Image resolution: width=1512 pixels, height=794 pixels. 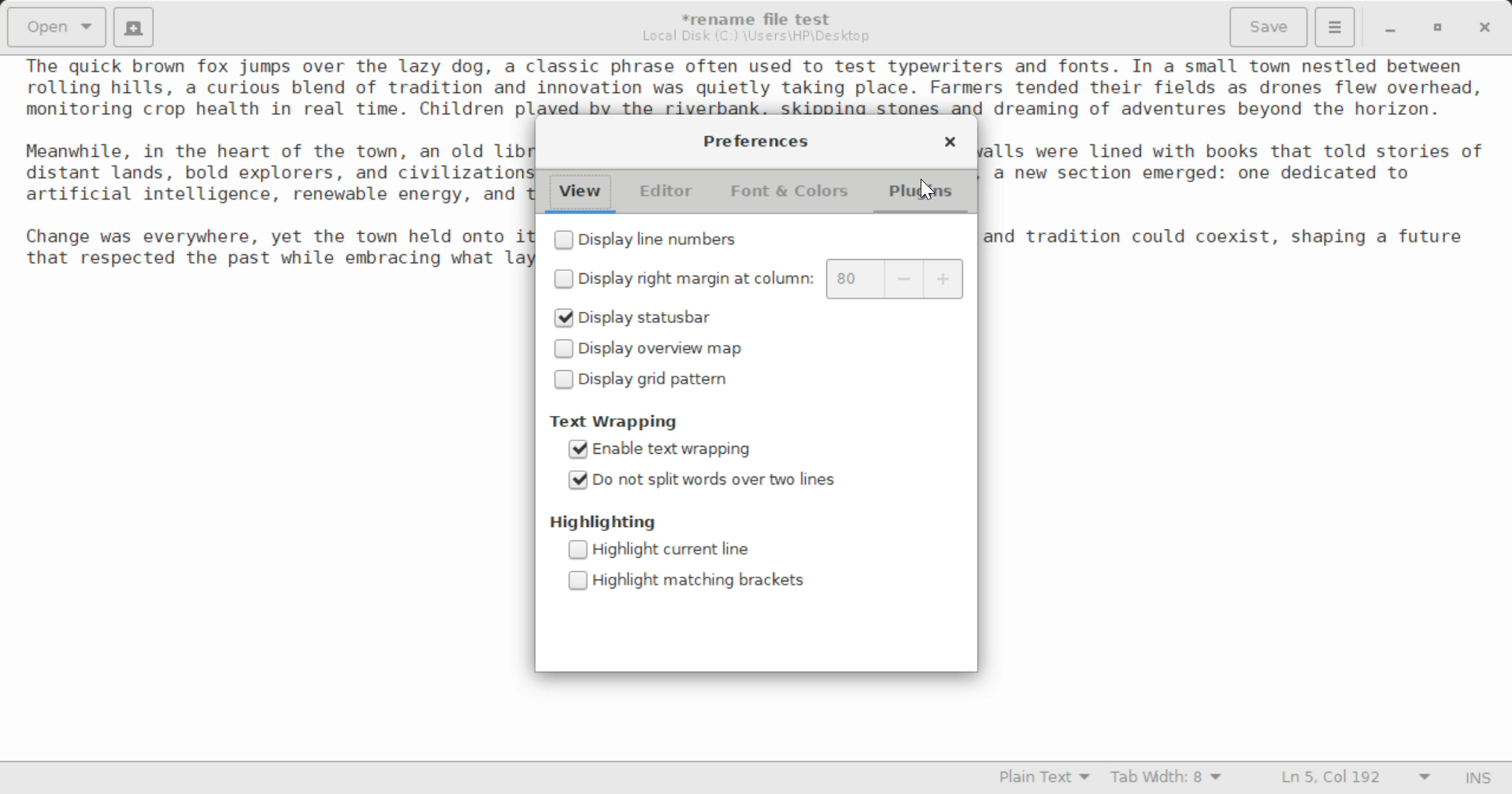 I want to click on Highlight current line, so click(x=671, y=551).